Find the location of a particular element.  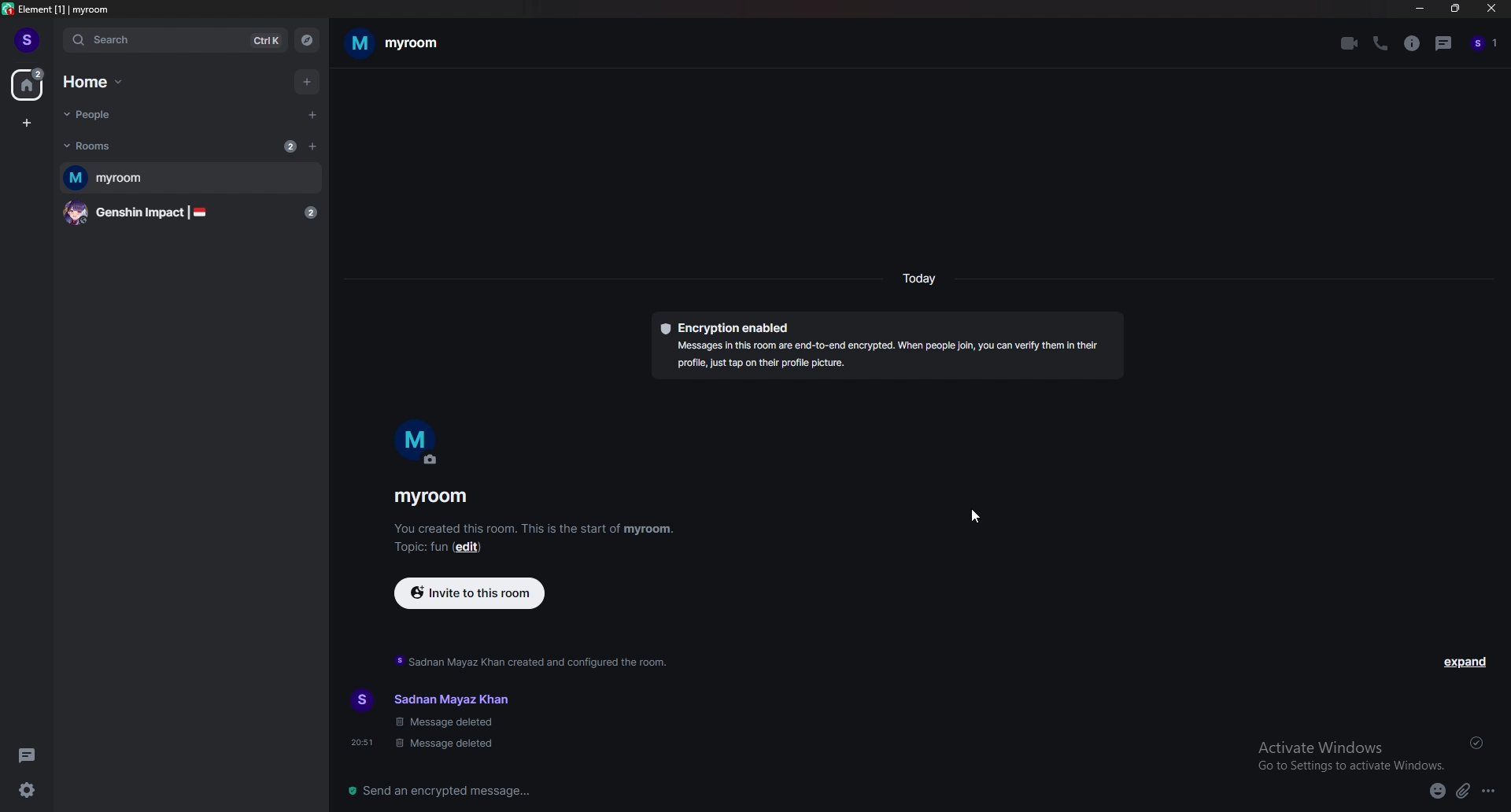

minimize is located at coordinates (1419, 9).